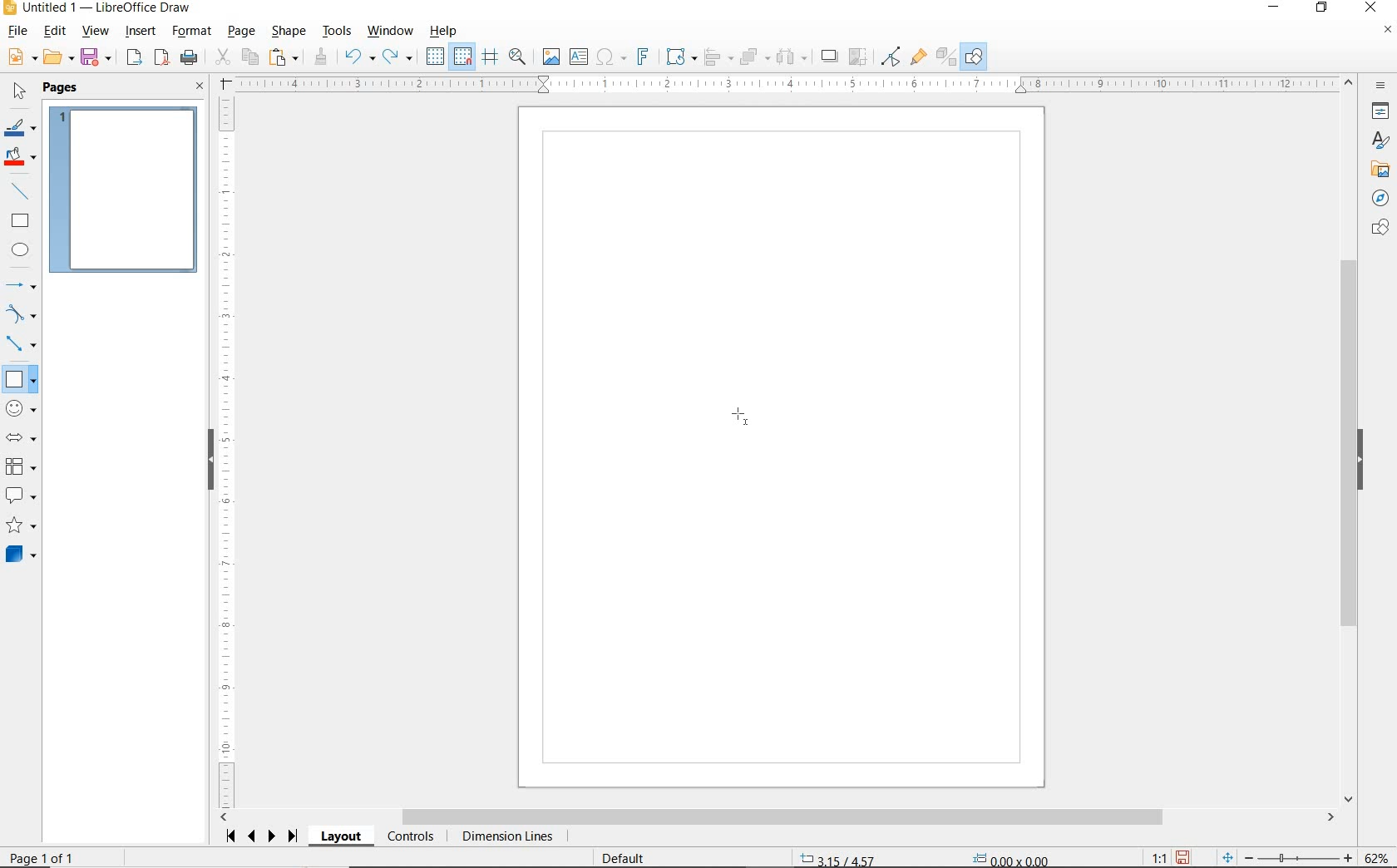  Describe the element at coordinates (1288, 855) in the screenshot. I see `ZOOM OUT OR ZOOM IN` at that location.